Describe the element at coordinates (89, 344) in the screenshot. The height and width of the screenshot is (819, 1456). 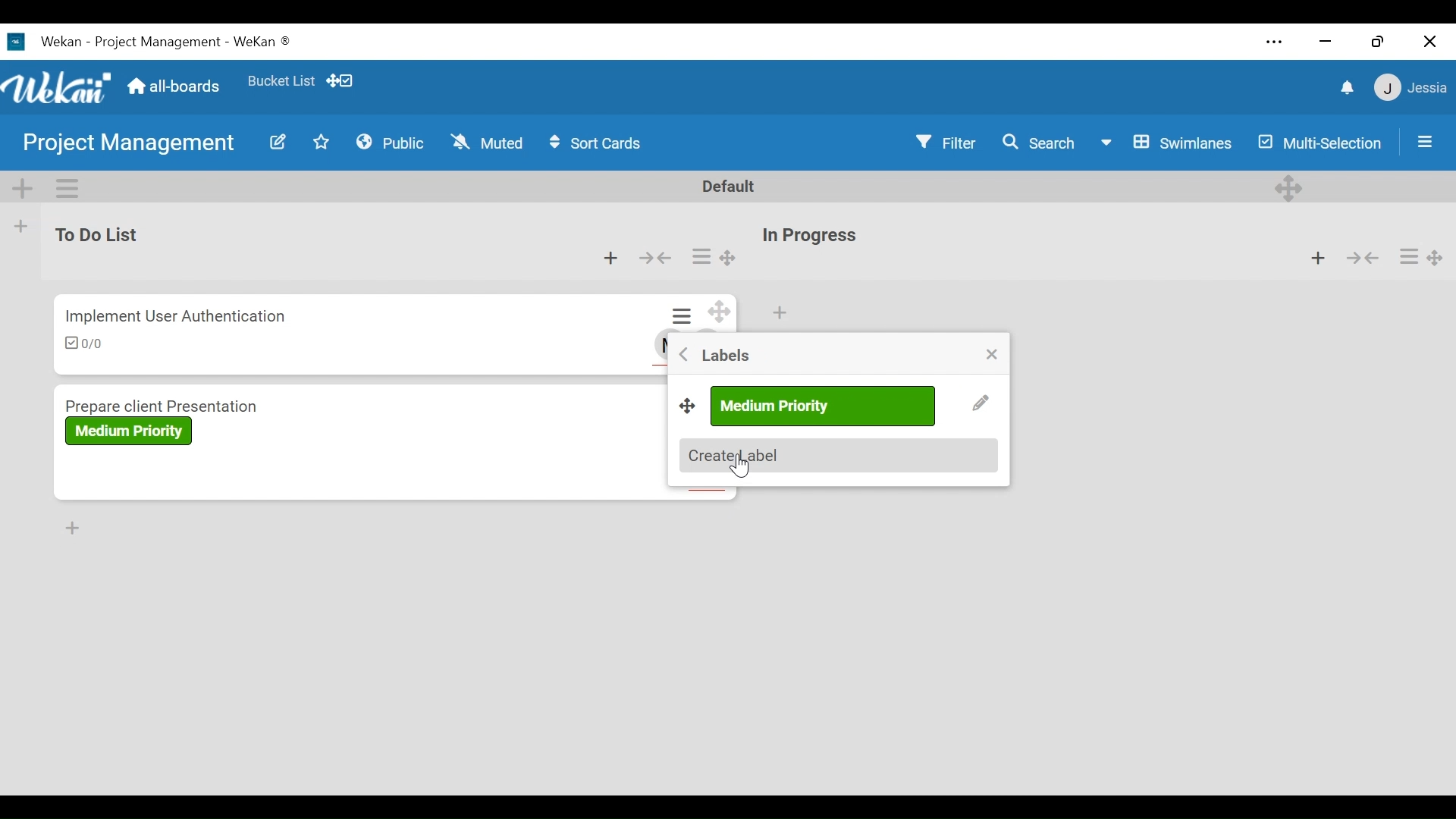
I see `Checklist` at that location.